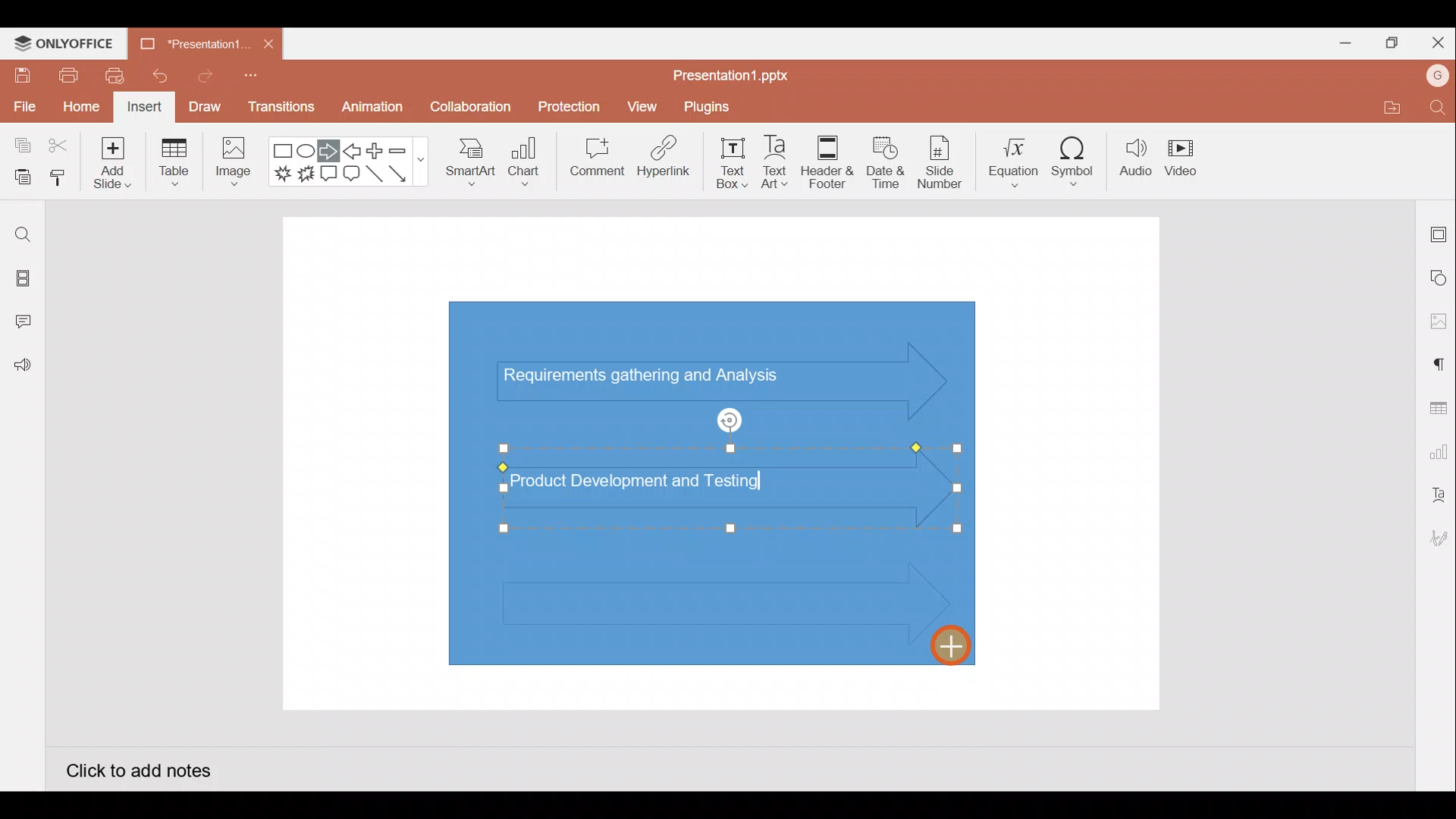 Image resolution: width=1456 pixels, height=819 pixels. I want to click on Minimize, so click(1339, 40).